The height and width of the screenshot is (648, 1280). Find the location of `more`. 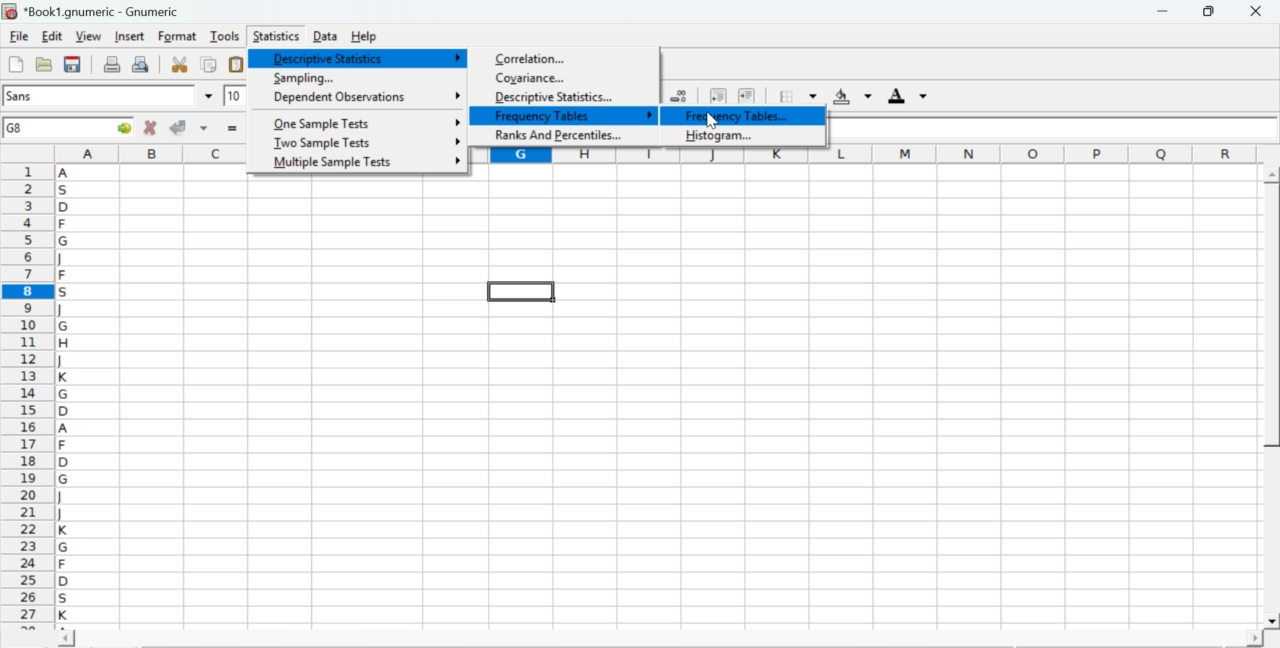

more is located at coordinates (455, 121).